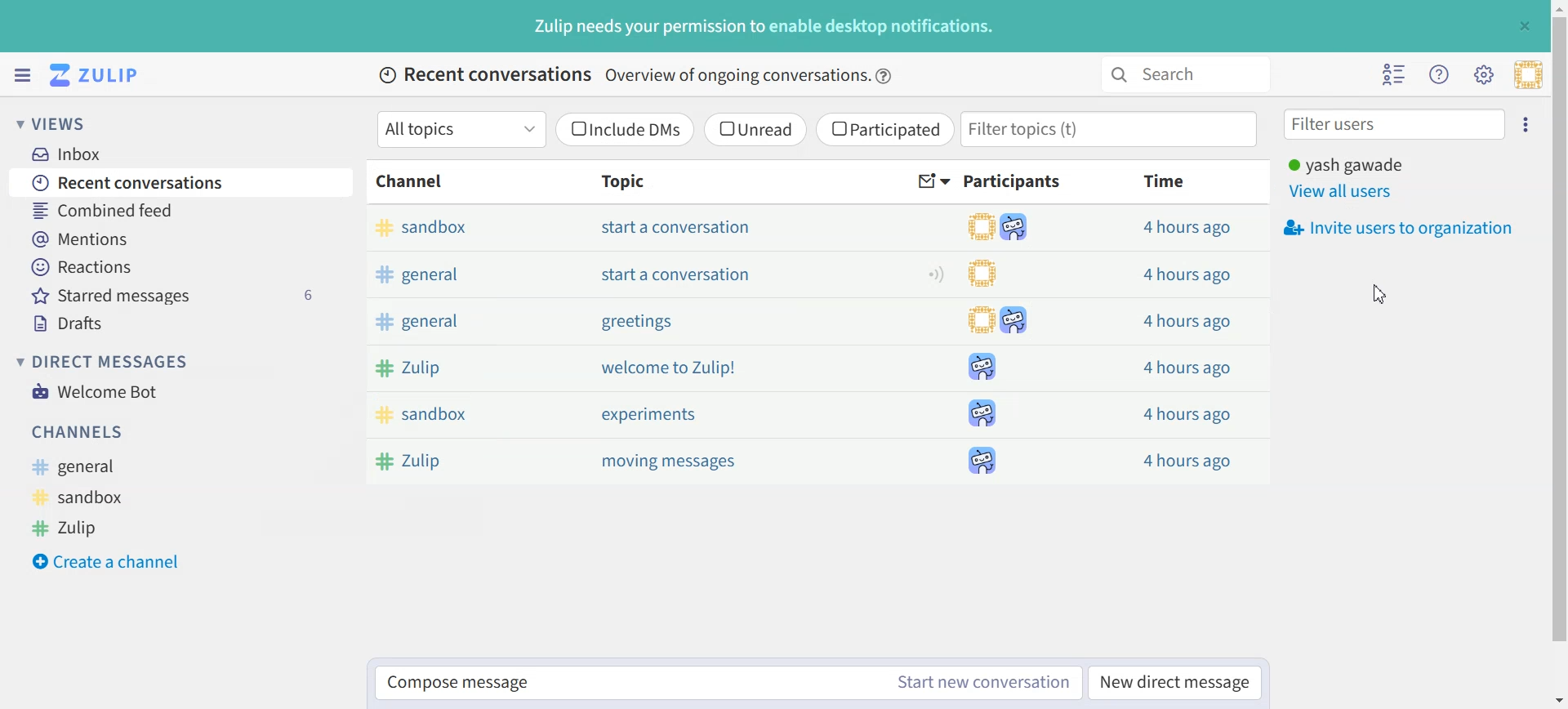 The image size is (1568, 709). I want to click on participants, so click(1002, 341).